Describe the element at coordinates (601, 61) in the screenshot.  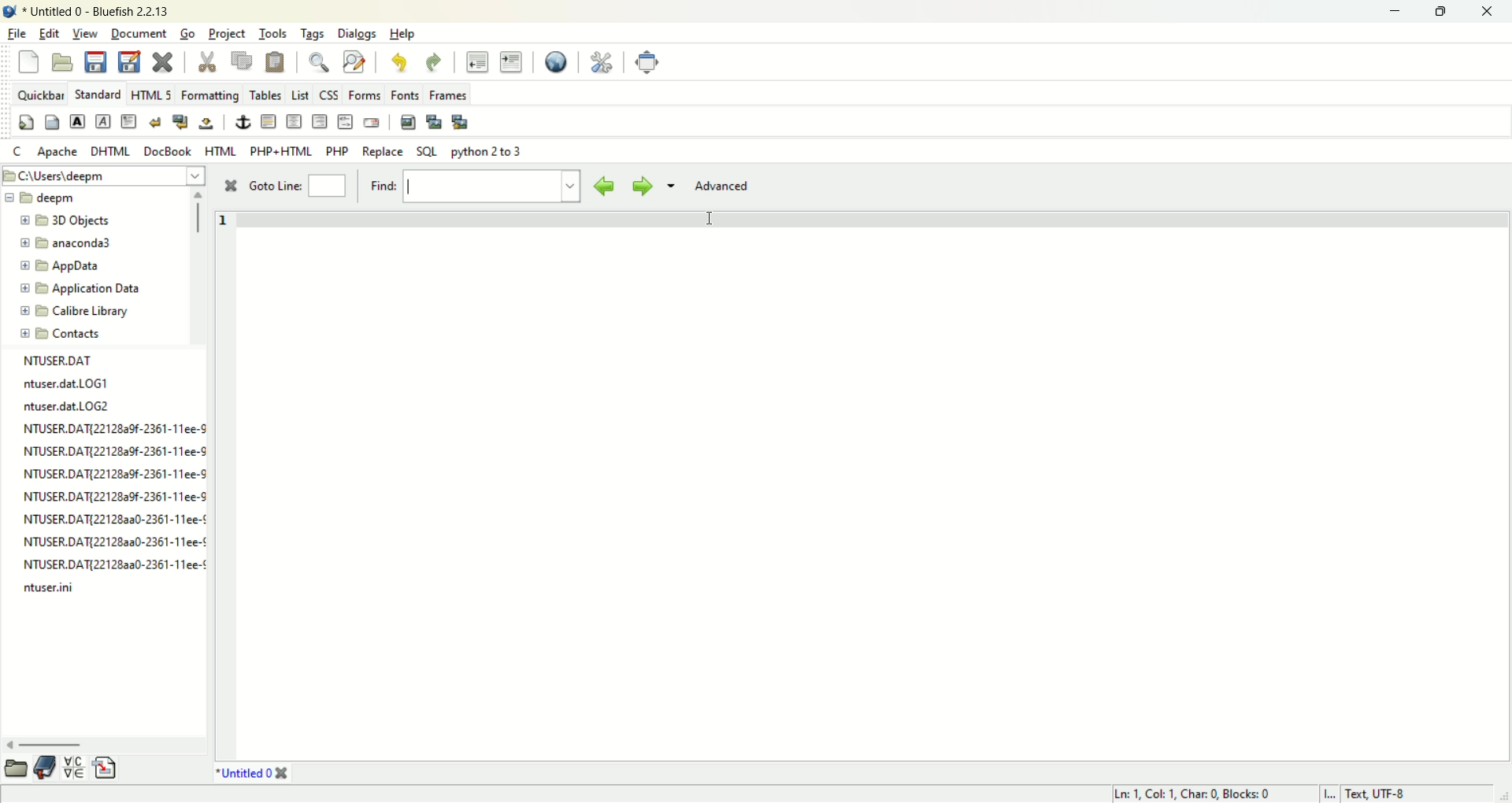
I see `edit preferences` at that location.